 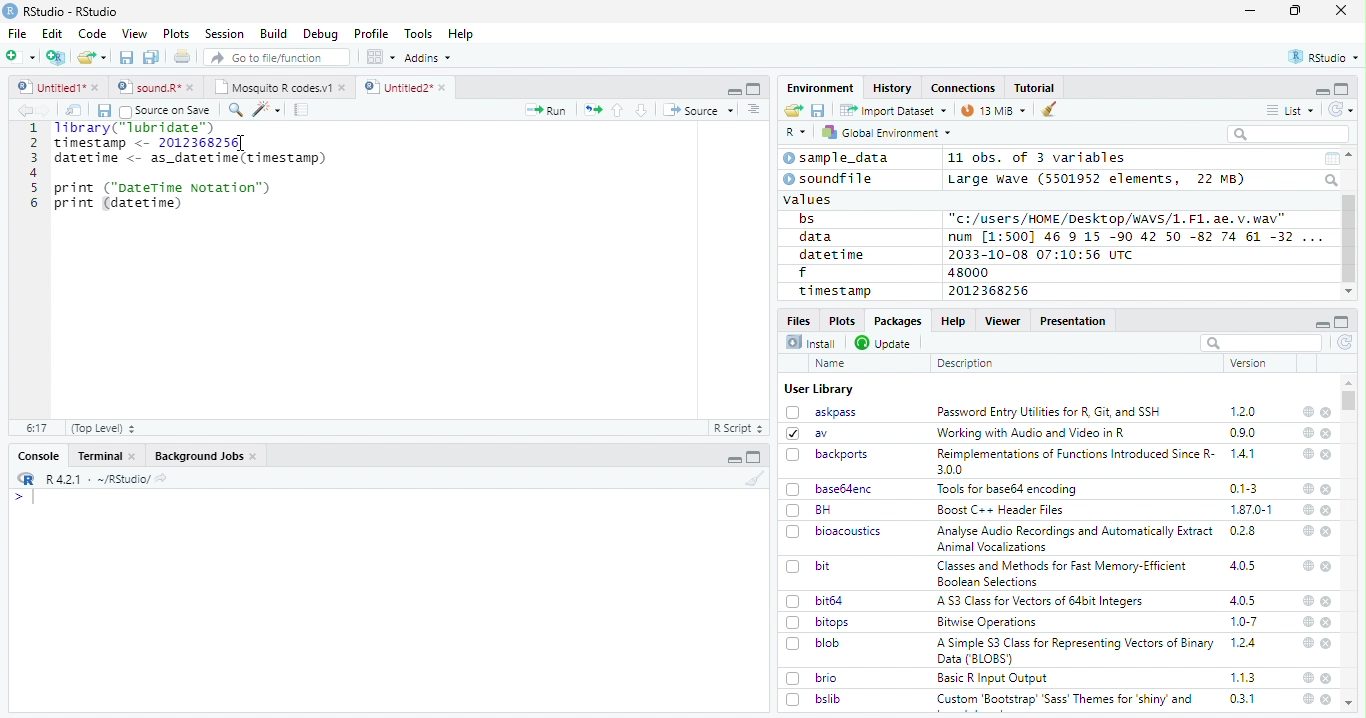 What do you see at coordinates (546, 110) in the screenshot?
I see `Run the current line` at bounding box center [546, 110].